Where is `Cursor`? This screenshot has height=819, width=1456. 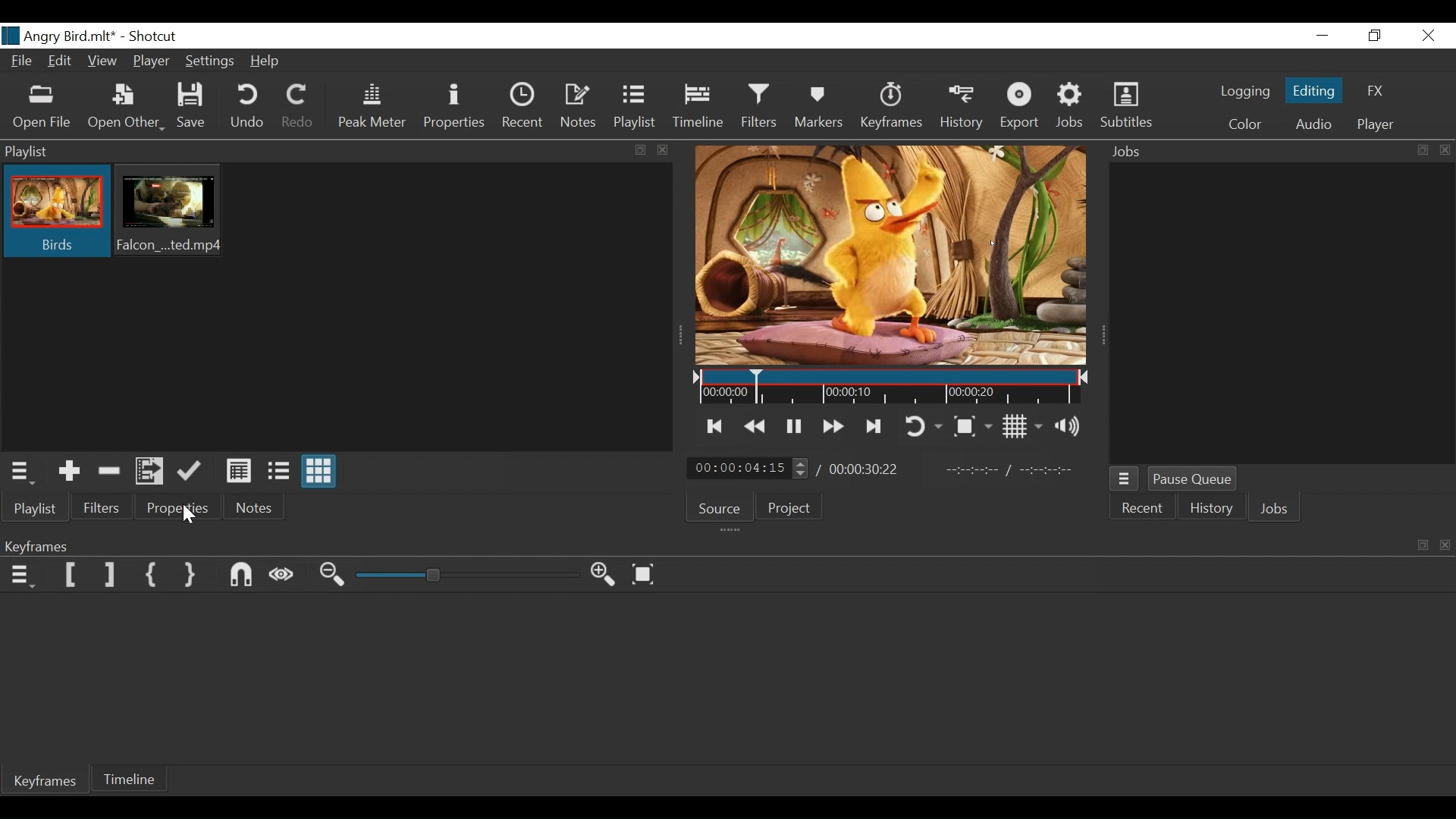
Cursor is located at coordinates (189, 513).